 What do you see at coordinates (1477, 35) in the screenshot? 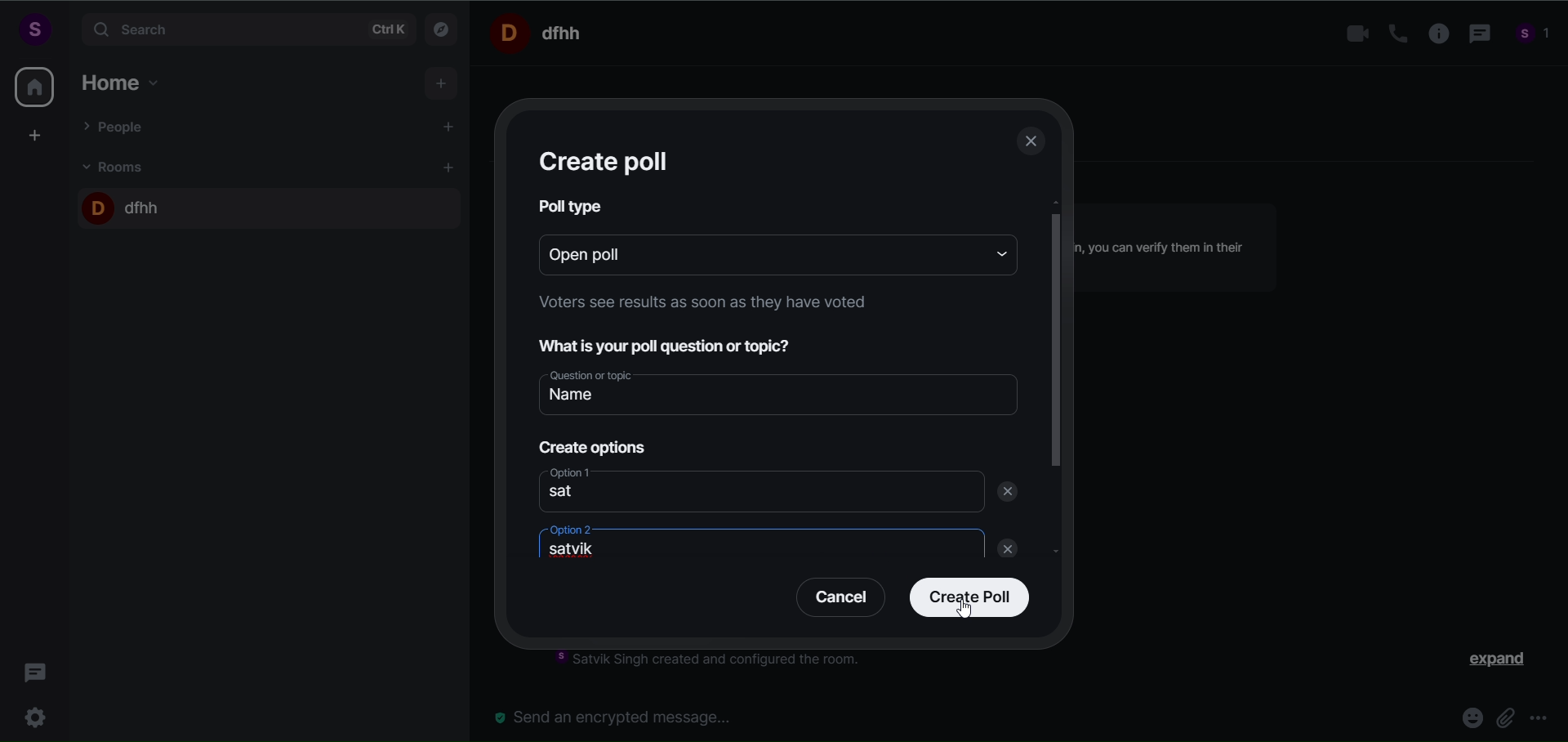
I see `thread` at bounding box center [1477, 35].